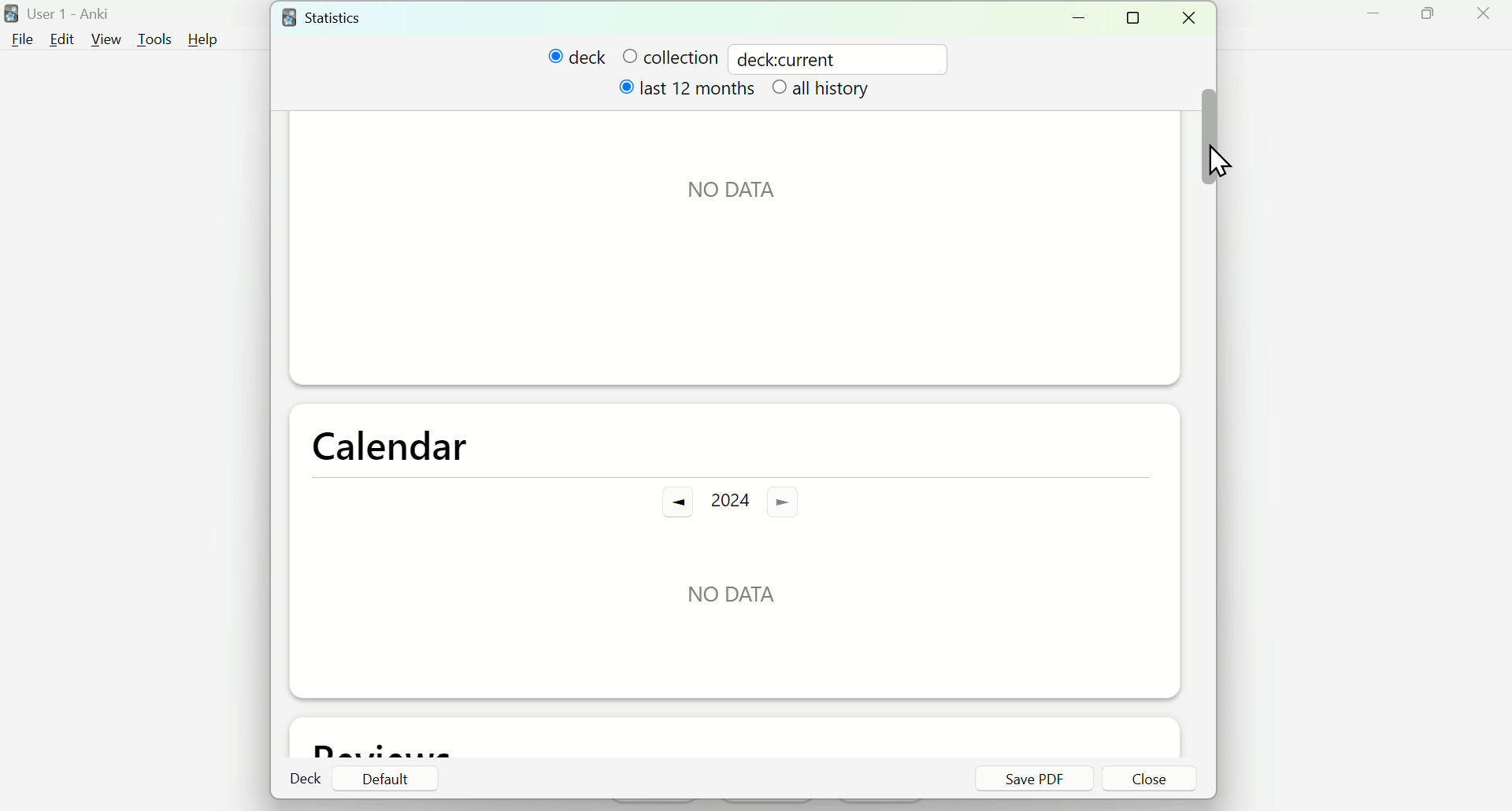 The height and width of the screenshot is (811, 1512). What do you see at coordinates (390, 444) in the screenshot?
I see `Calendar` at bounding box center [390, 444].